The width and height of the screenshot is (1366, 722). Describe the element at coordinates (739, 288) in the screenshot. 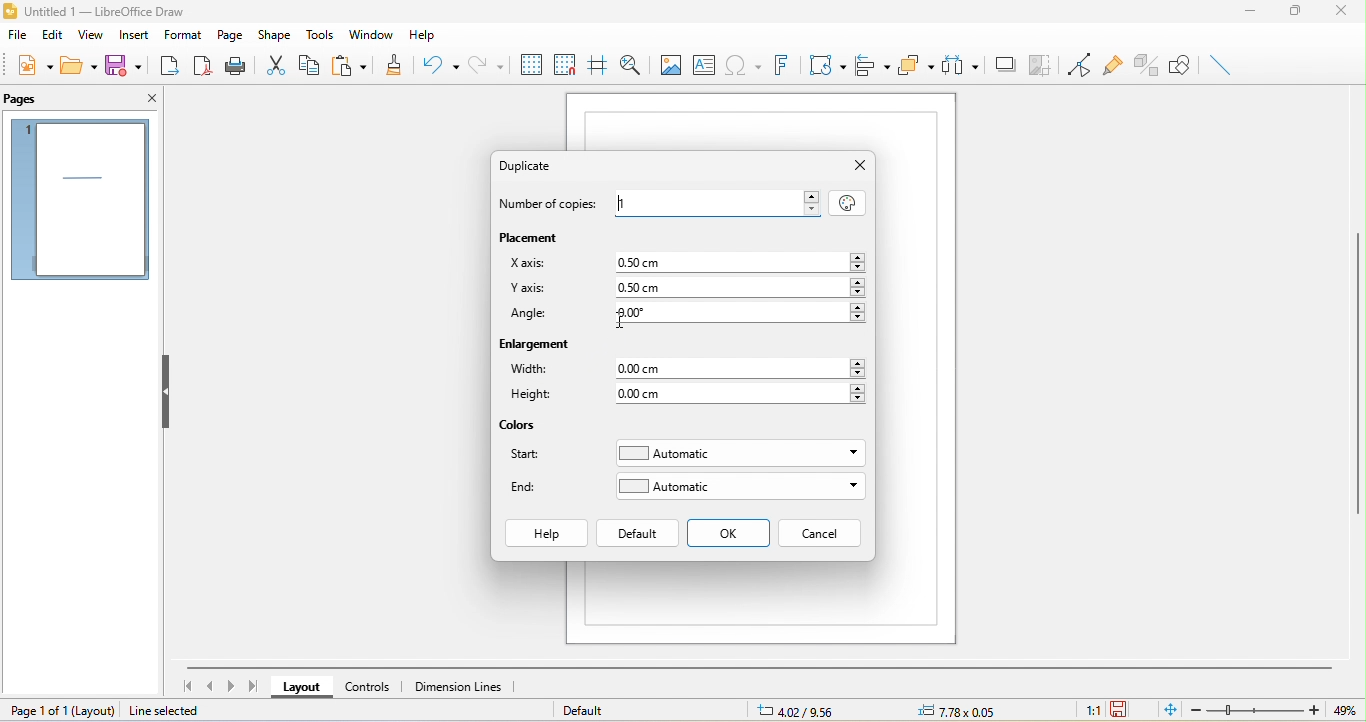

I see `0.50 cm` at that location.